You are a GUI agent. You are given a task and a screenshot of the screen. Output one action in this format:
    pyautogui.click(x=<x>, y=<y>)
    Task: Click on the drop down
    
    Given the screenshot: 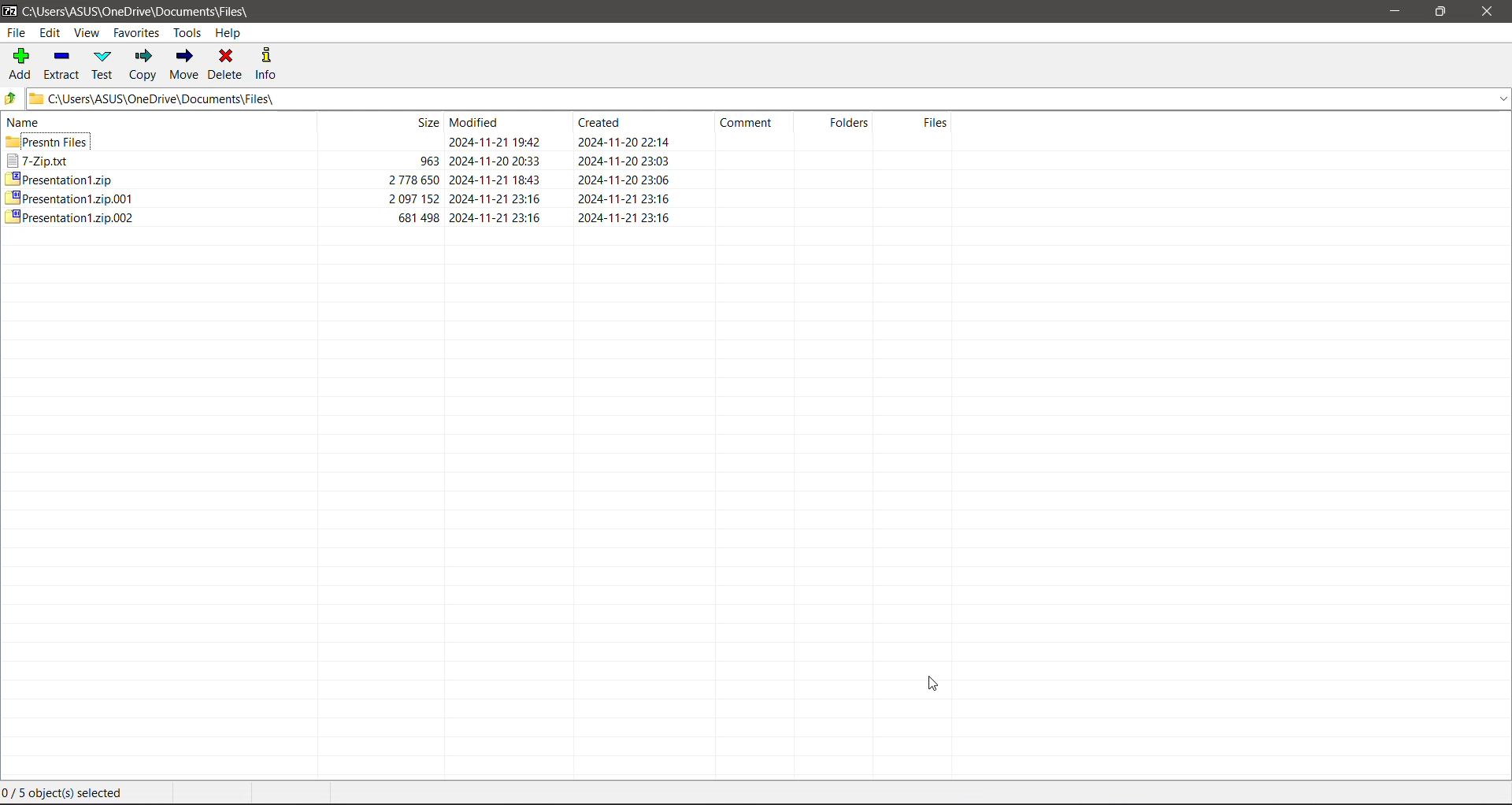 What is the action you would take?
    pyautogui.click(x=1498, y=100)
    